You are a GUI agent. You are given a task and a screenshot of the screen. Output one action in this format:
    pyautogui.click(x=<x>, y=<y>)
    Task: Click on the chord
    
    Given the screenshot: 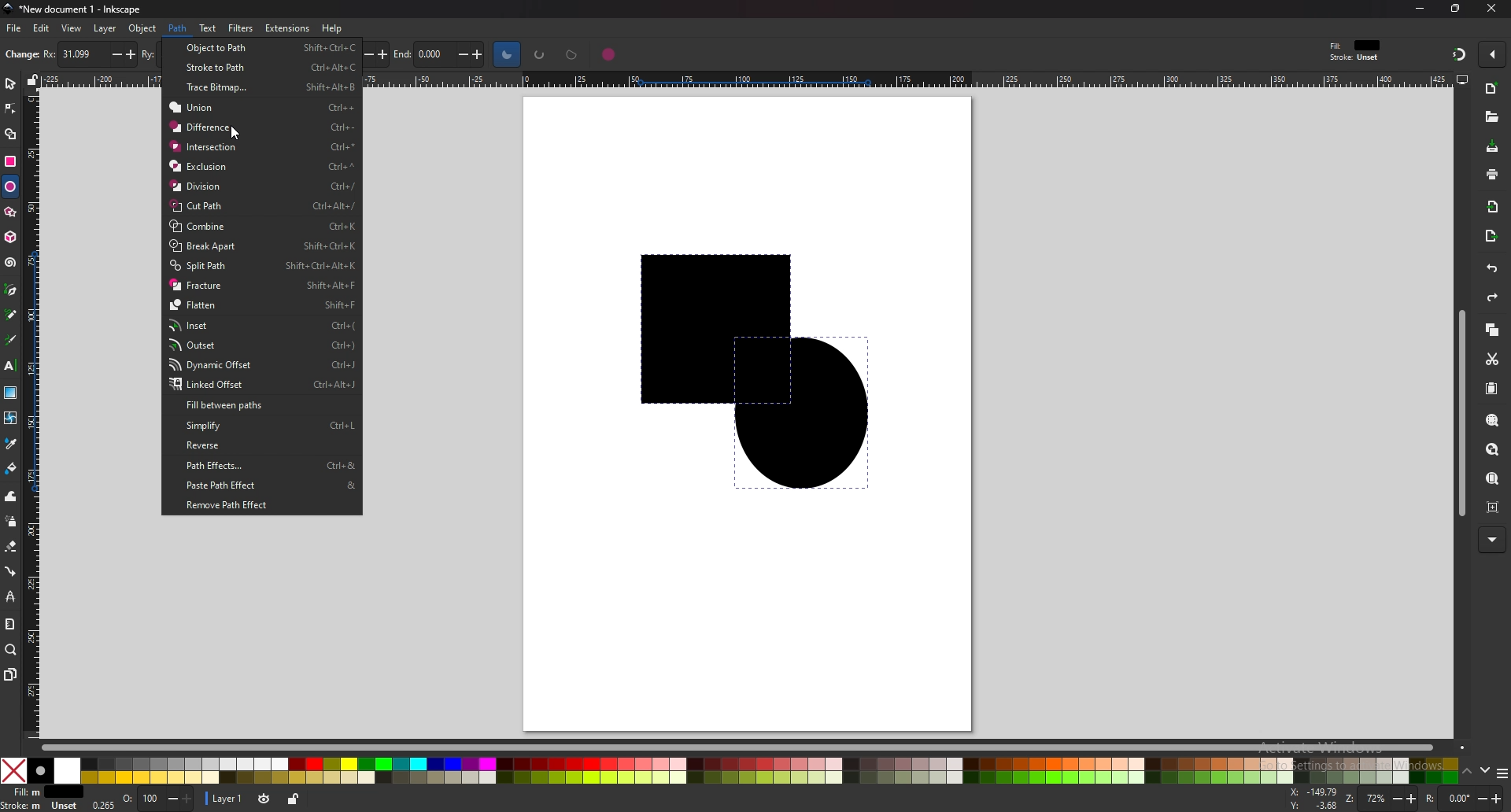 What is the action you would take?
    pyautogui.click(x=572, y=54)
    